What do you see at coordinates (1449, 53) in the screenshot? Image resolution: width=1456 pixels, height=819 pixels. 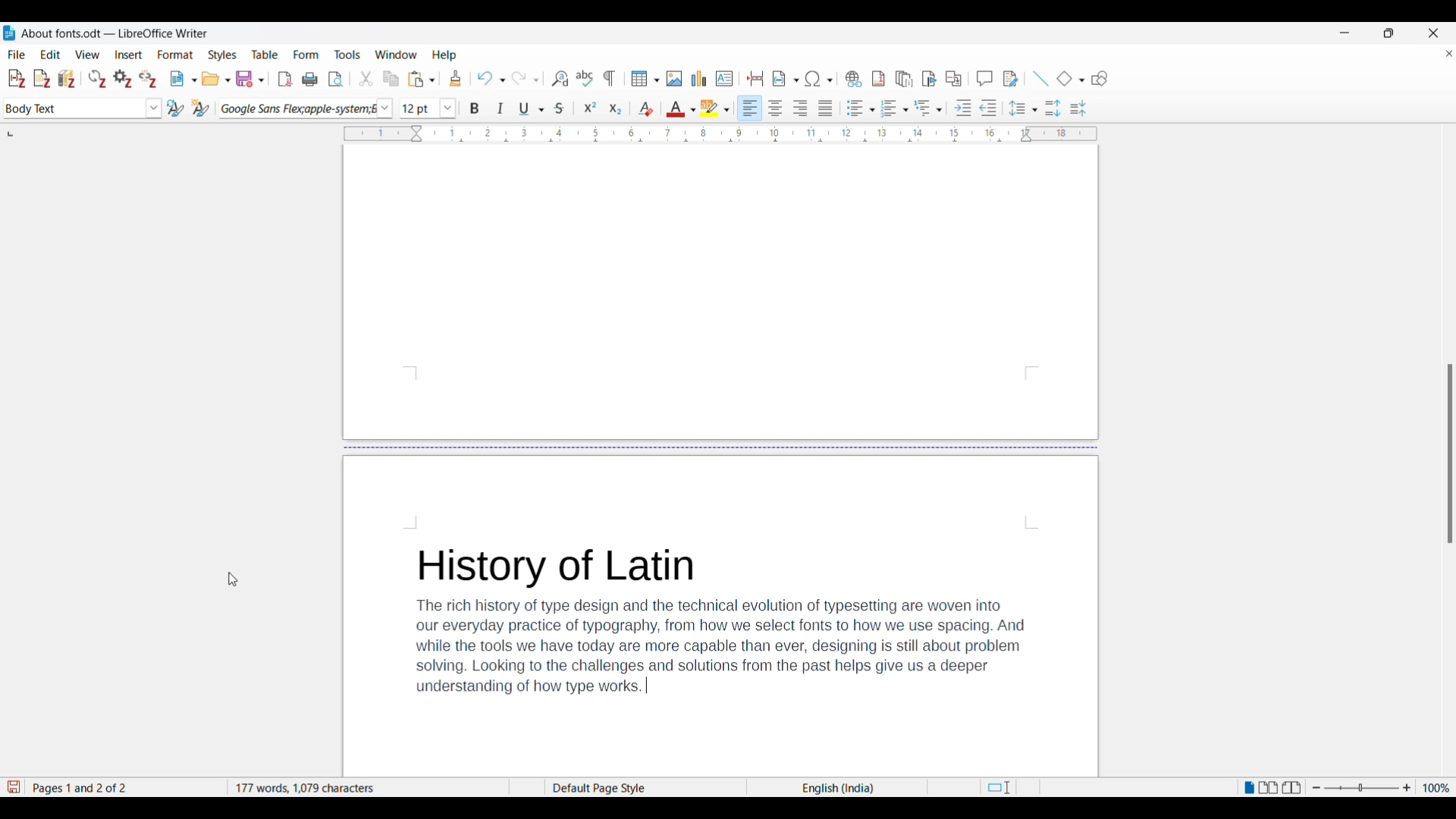 I see `Close document` at bounding box center [1449, 53].